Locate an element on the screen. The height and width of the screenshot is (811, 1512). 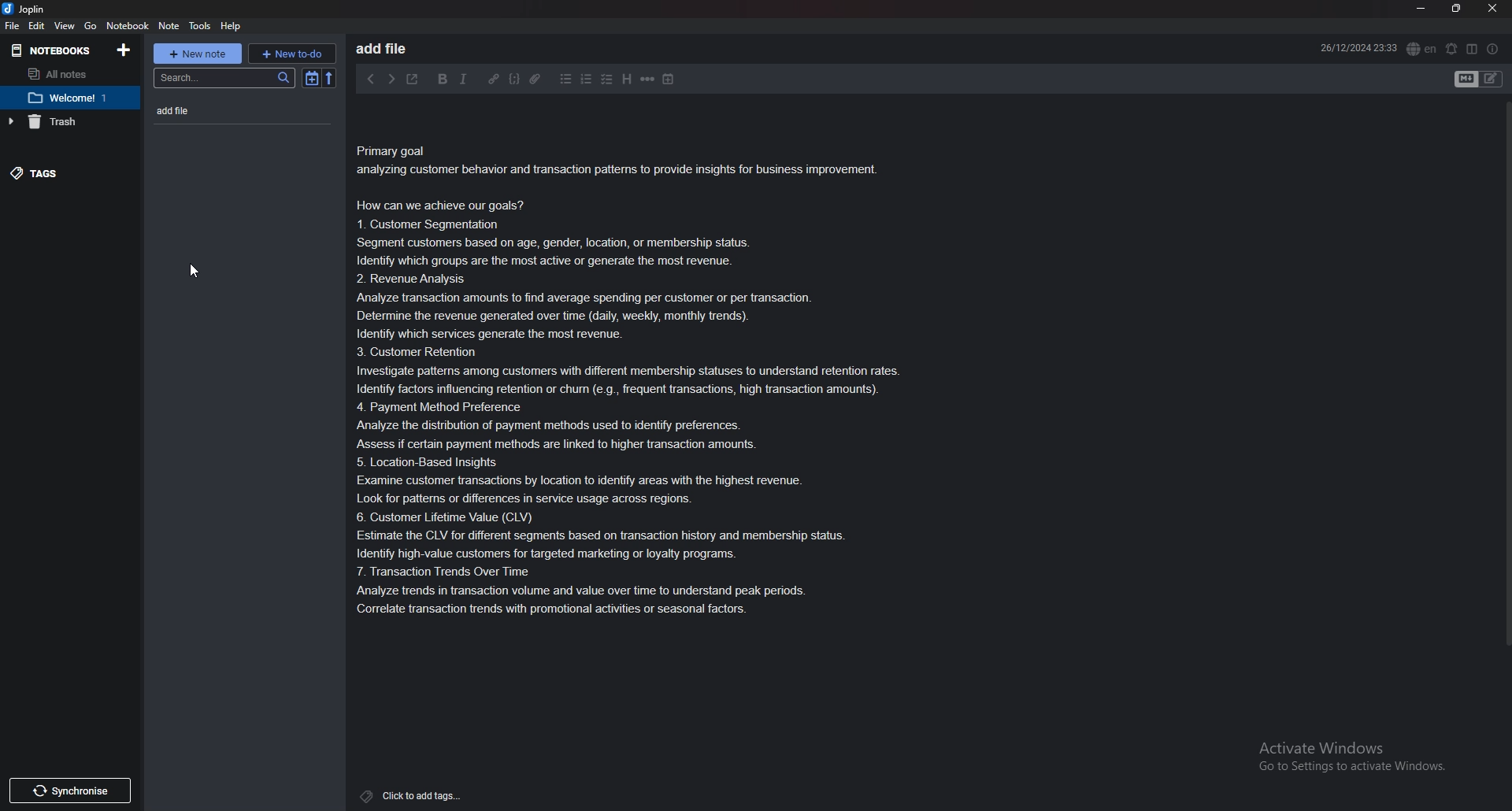
next is located at coordinates (391, 80).